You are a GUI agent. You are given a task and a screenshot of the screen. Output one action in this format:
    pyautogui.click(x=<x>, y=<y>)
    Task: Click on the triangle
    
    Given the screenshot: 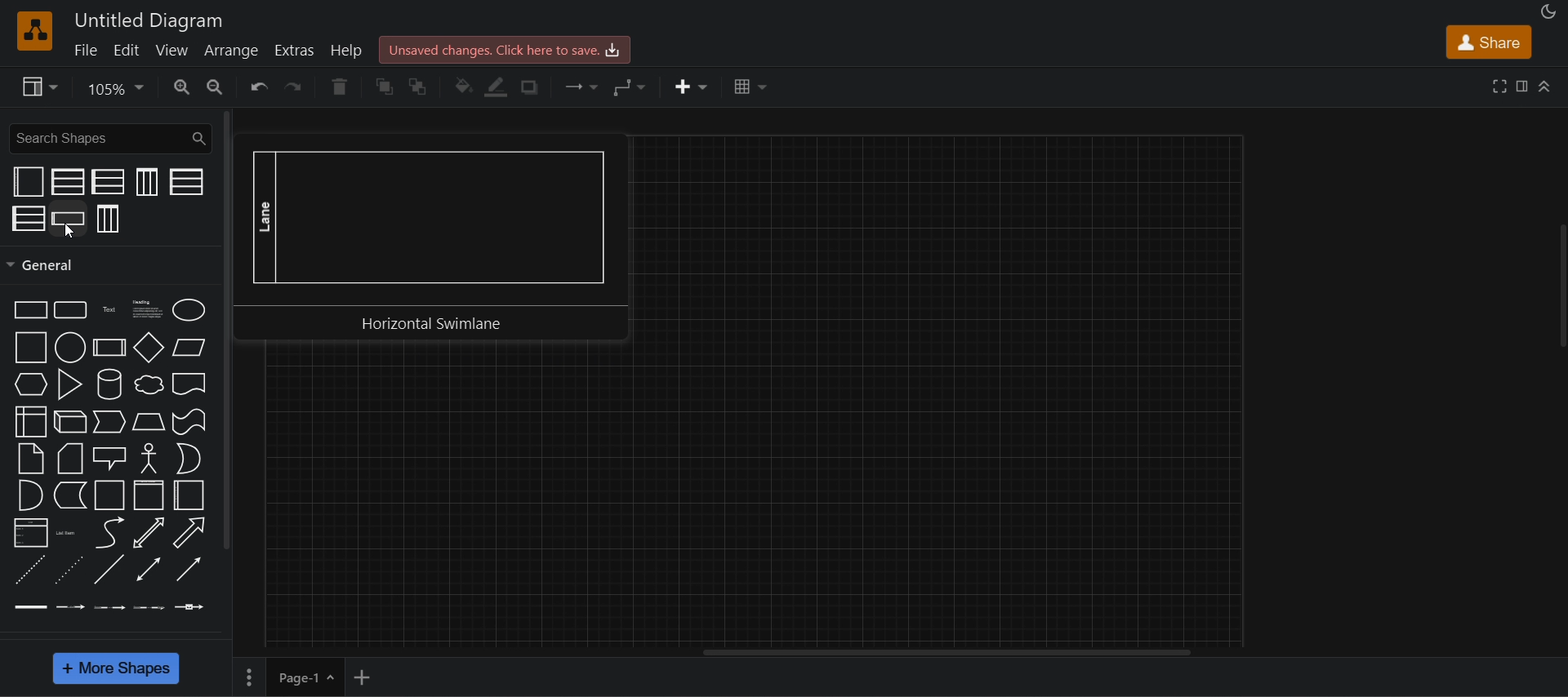 What is the action you would take?
    pyautogui.click(x=69, y=384)
    